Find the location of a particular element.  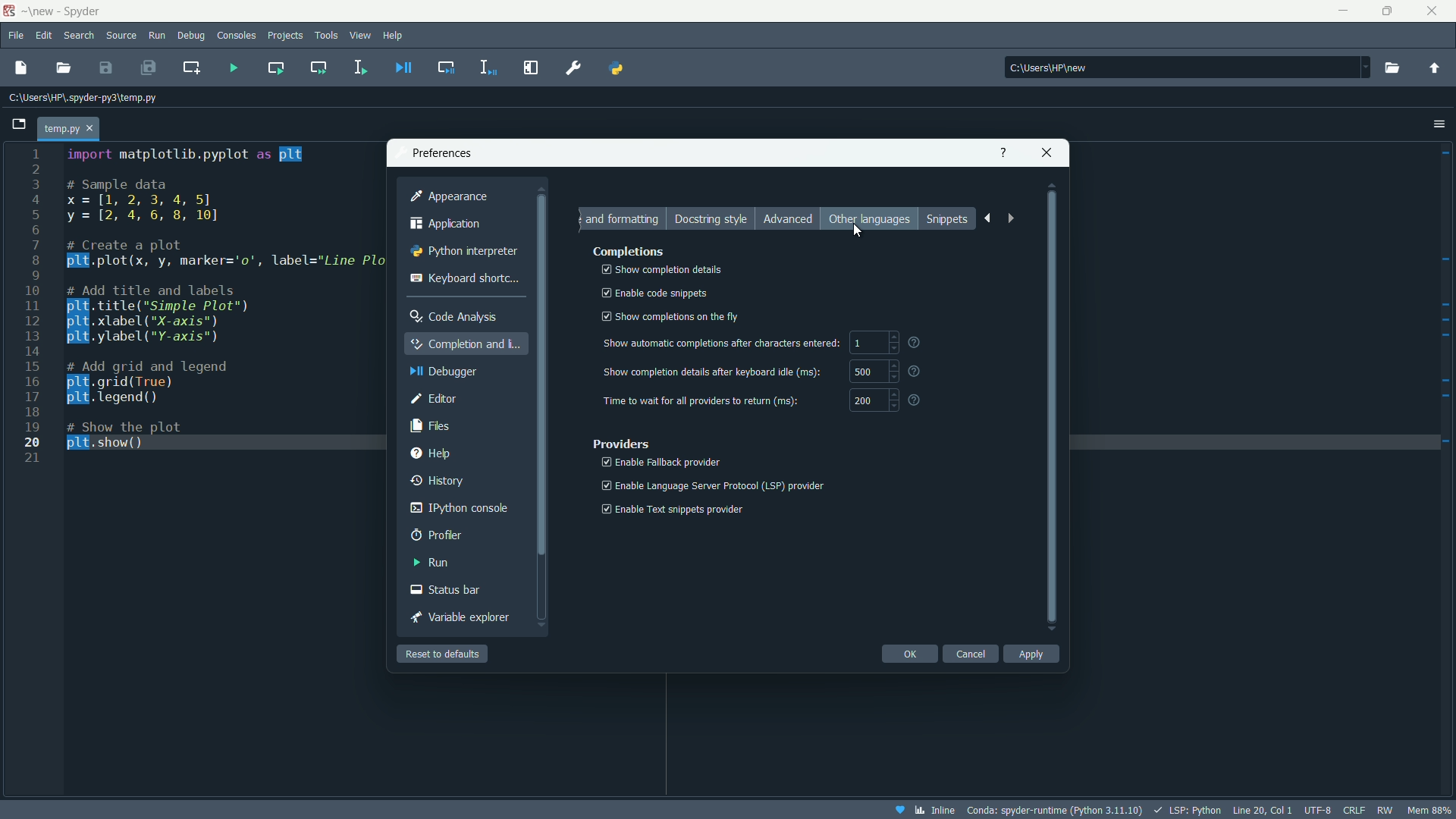

increment and decremnt button is located at coordinates (893, 372).